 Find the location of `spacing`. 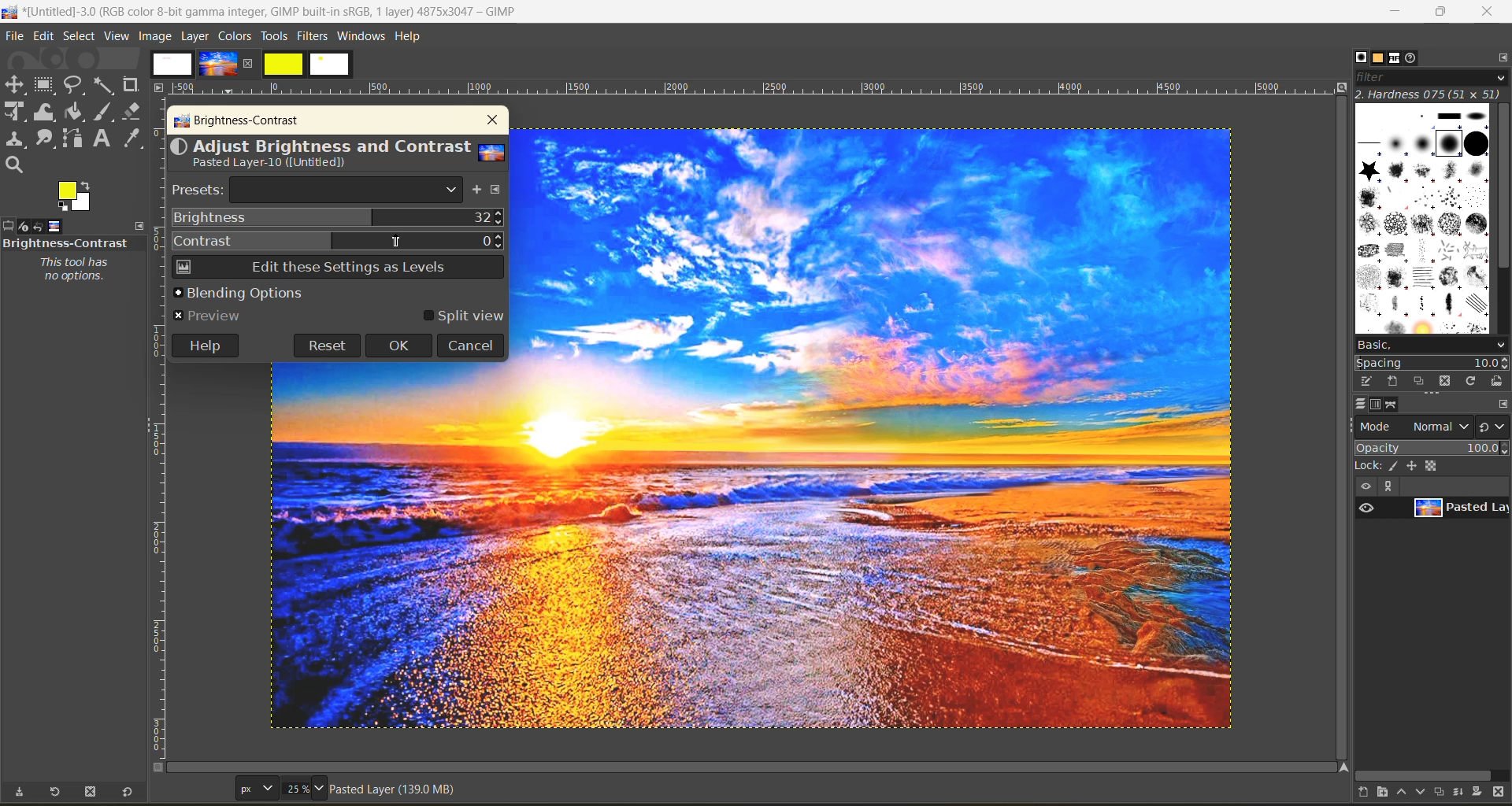

spacing is located at coordinates (1433, 364).